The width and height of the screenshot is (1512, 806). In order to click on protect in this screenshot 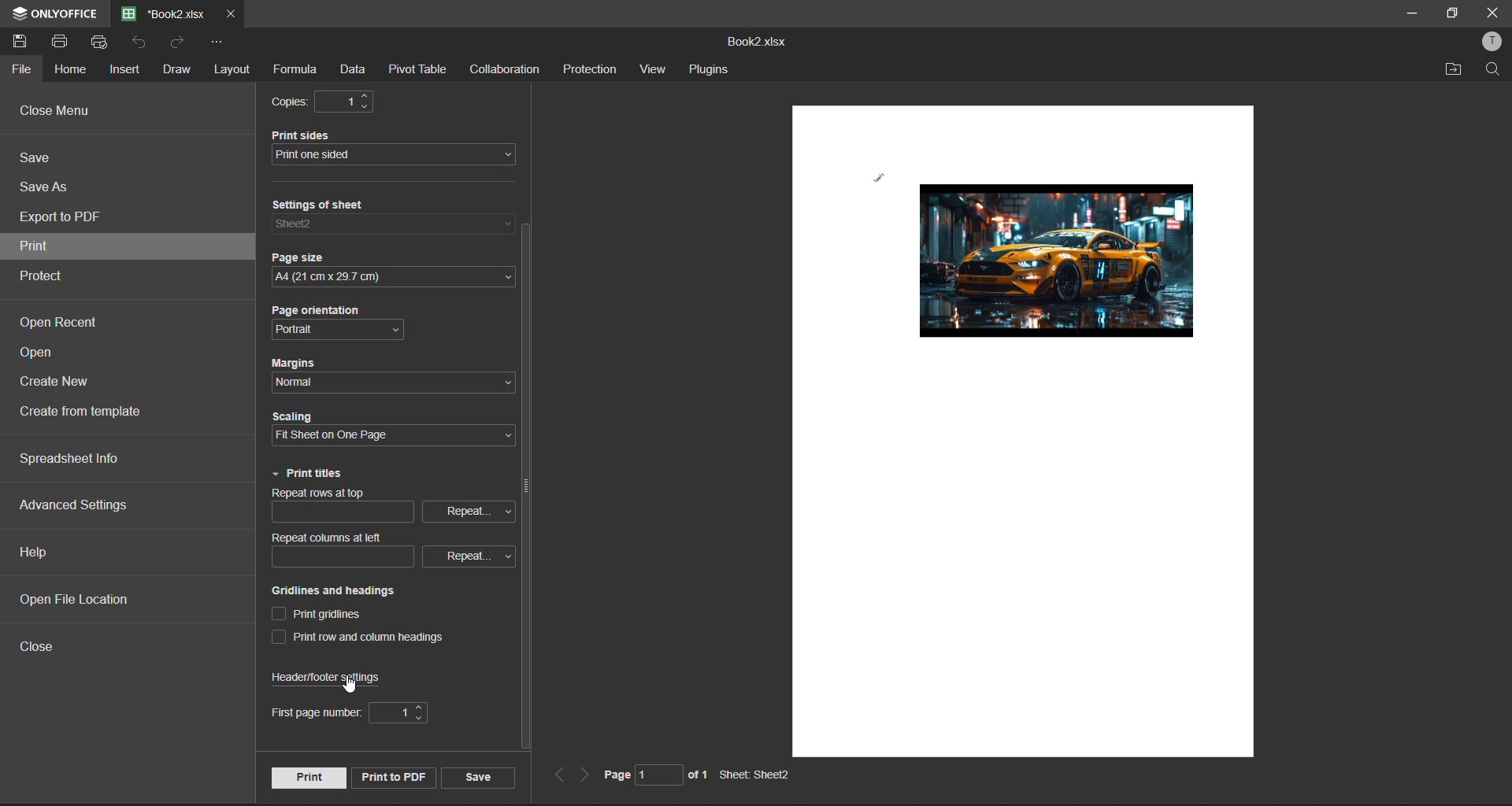, I will do `click(51, 277)`.